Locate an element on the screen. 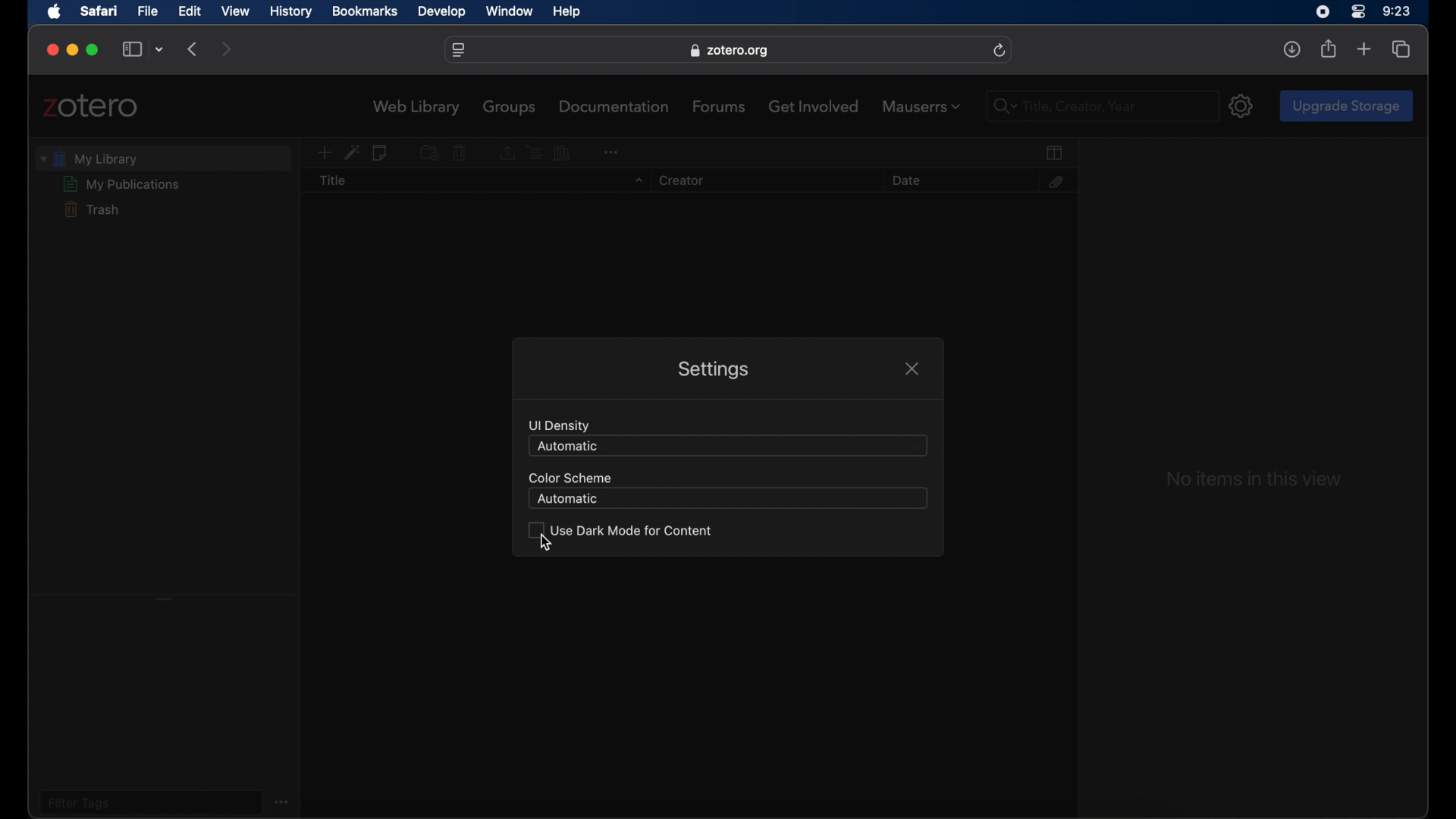 This screenshot has width=1456, height=819. close is located at coordinates (53, 50).